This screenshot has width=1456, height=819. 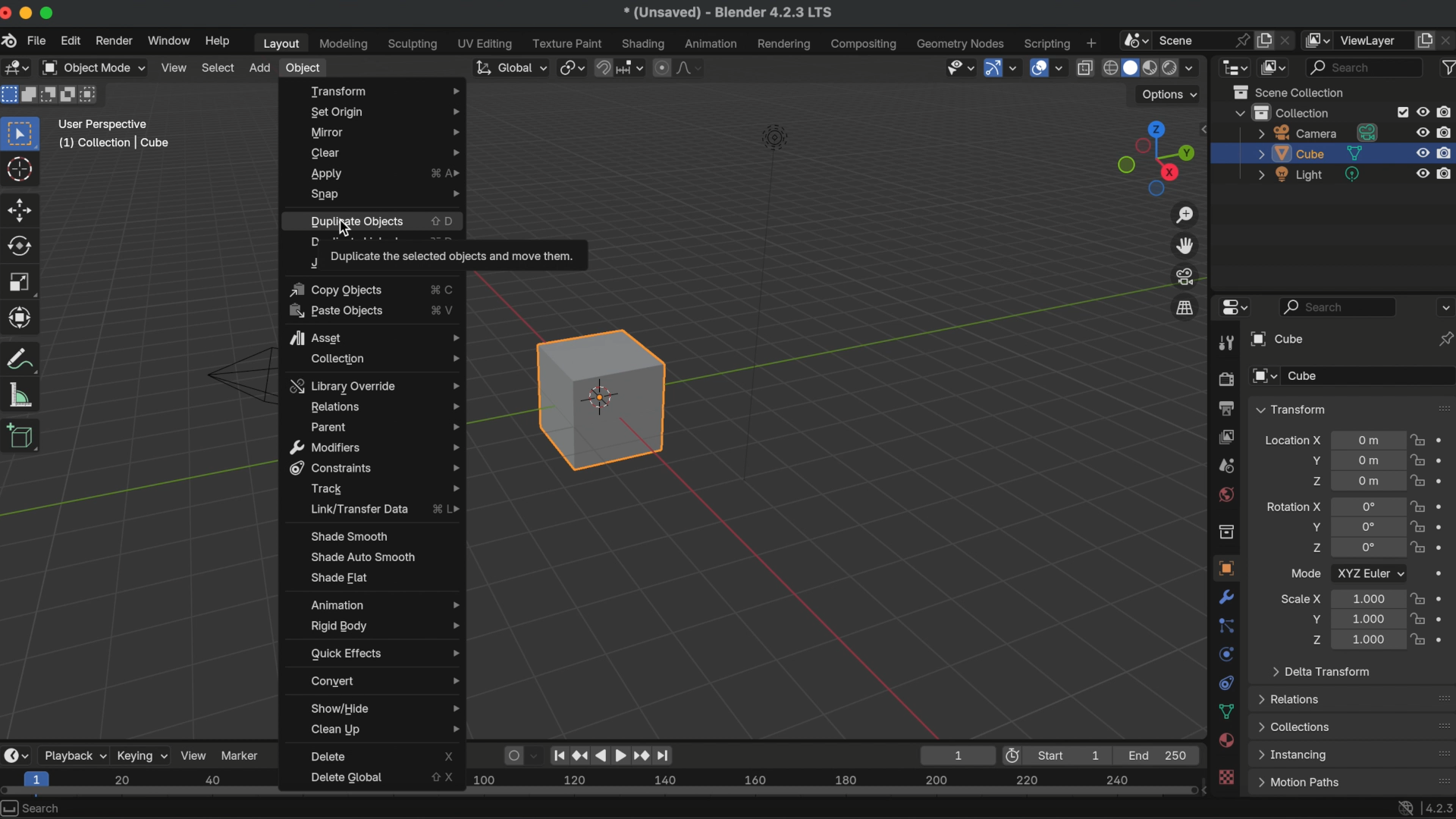 I want to click on selectability & visibility, so click(x=959, y=67).